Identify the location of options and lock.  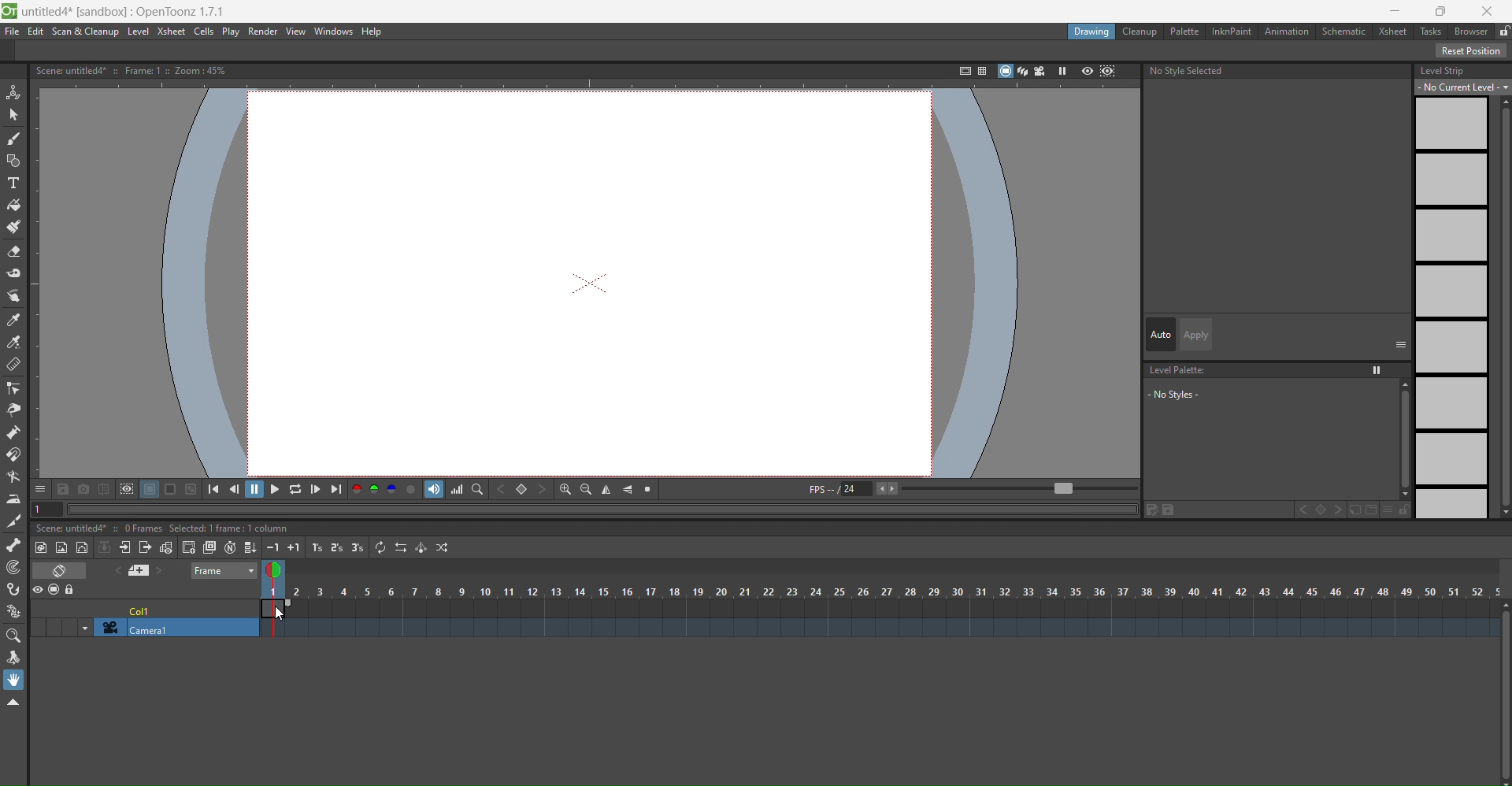
(1396, 510).